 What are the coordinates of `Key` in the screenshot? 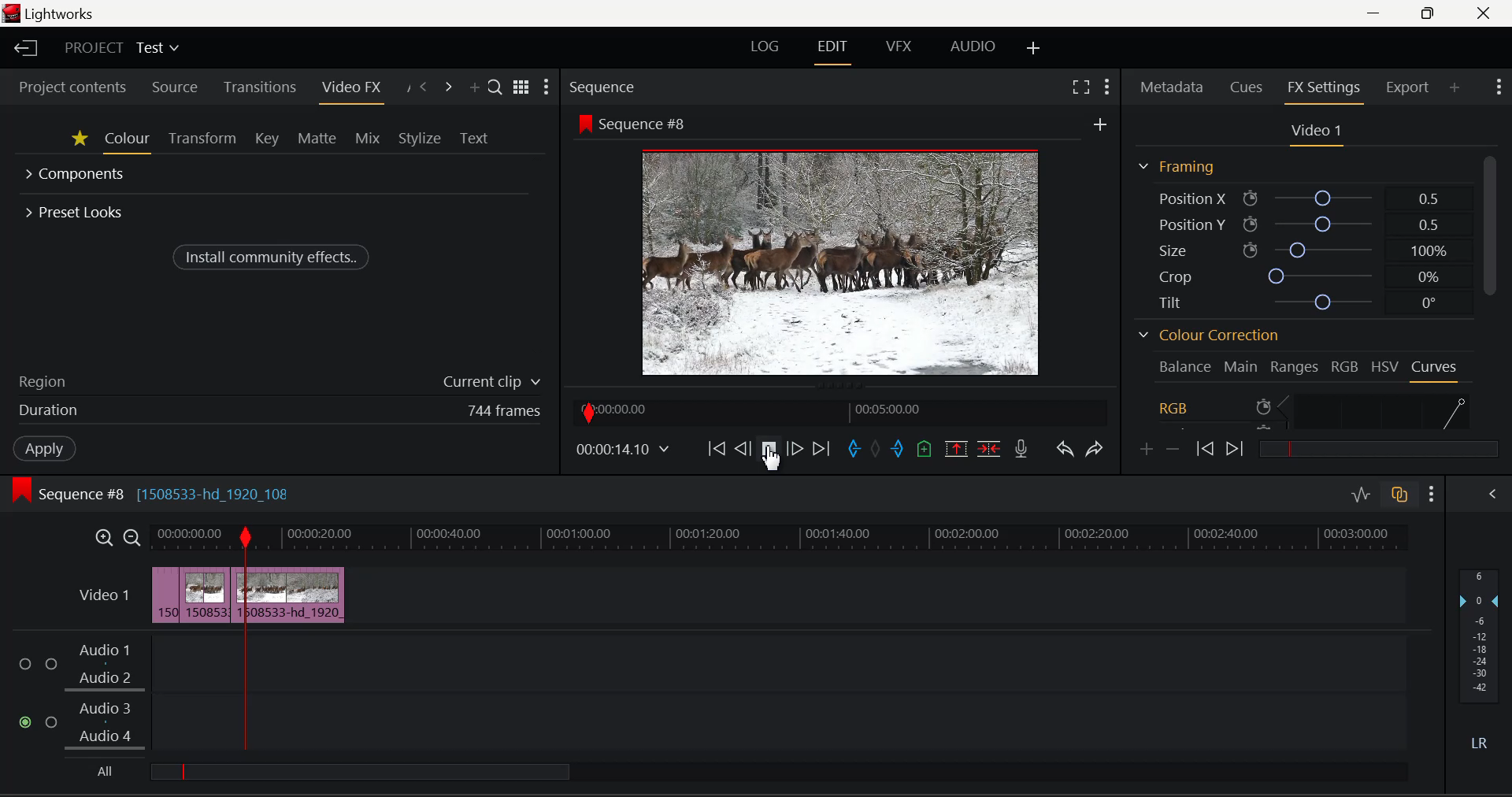 It's located at (265, 140).